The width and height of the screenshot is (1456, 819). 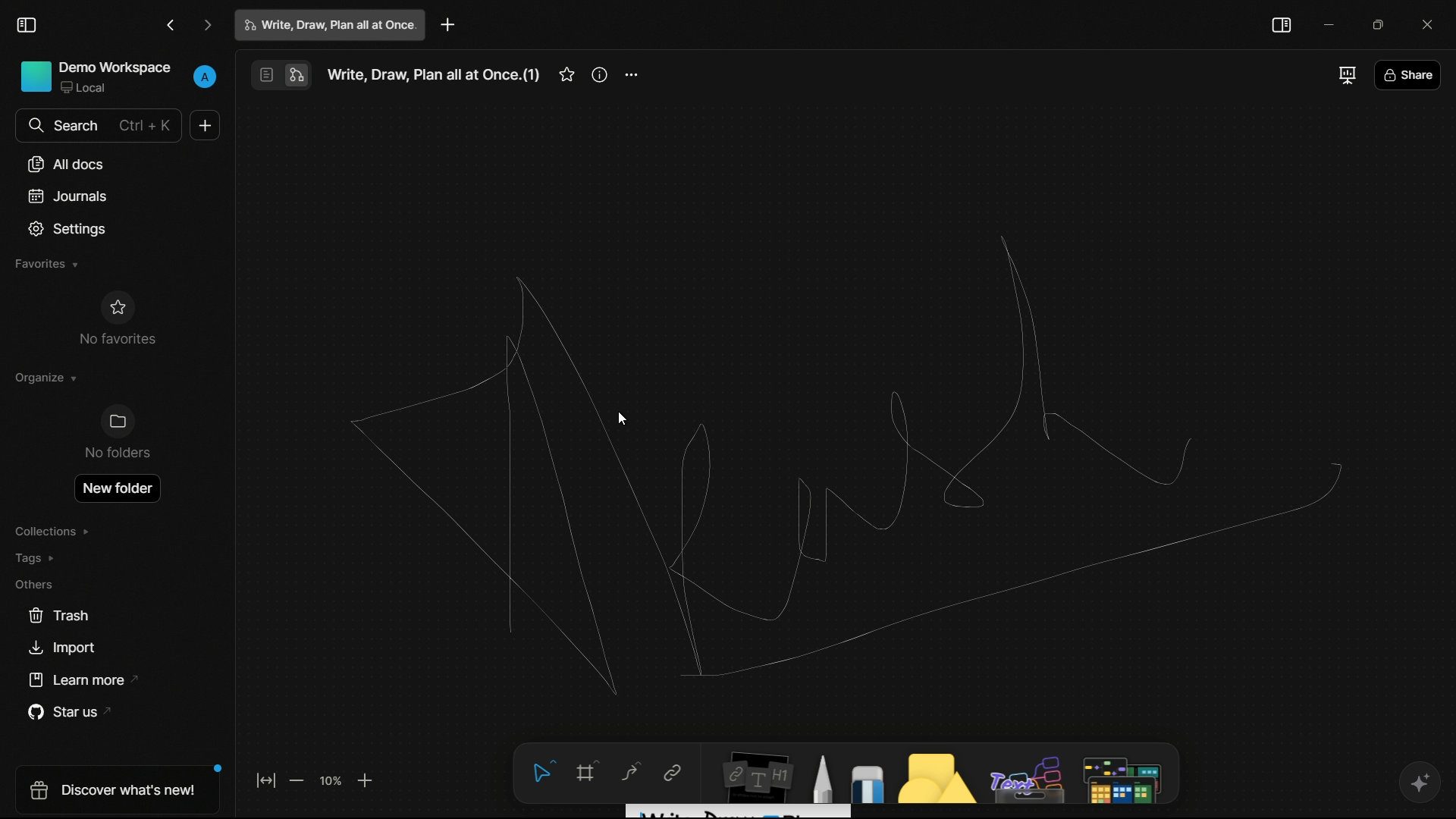 I want to click on favorites, so click(x=44, y=265).